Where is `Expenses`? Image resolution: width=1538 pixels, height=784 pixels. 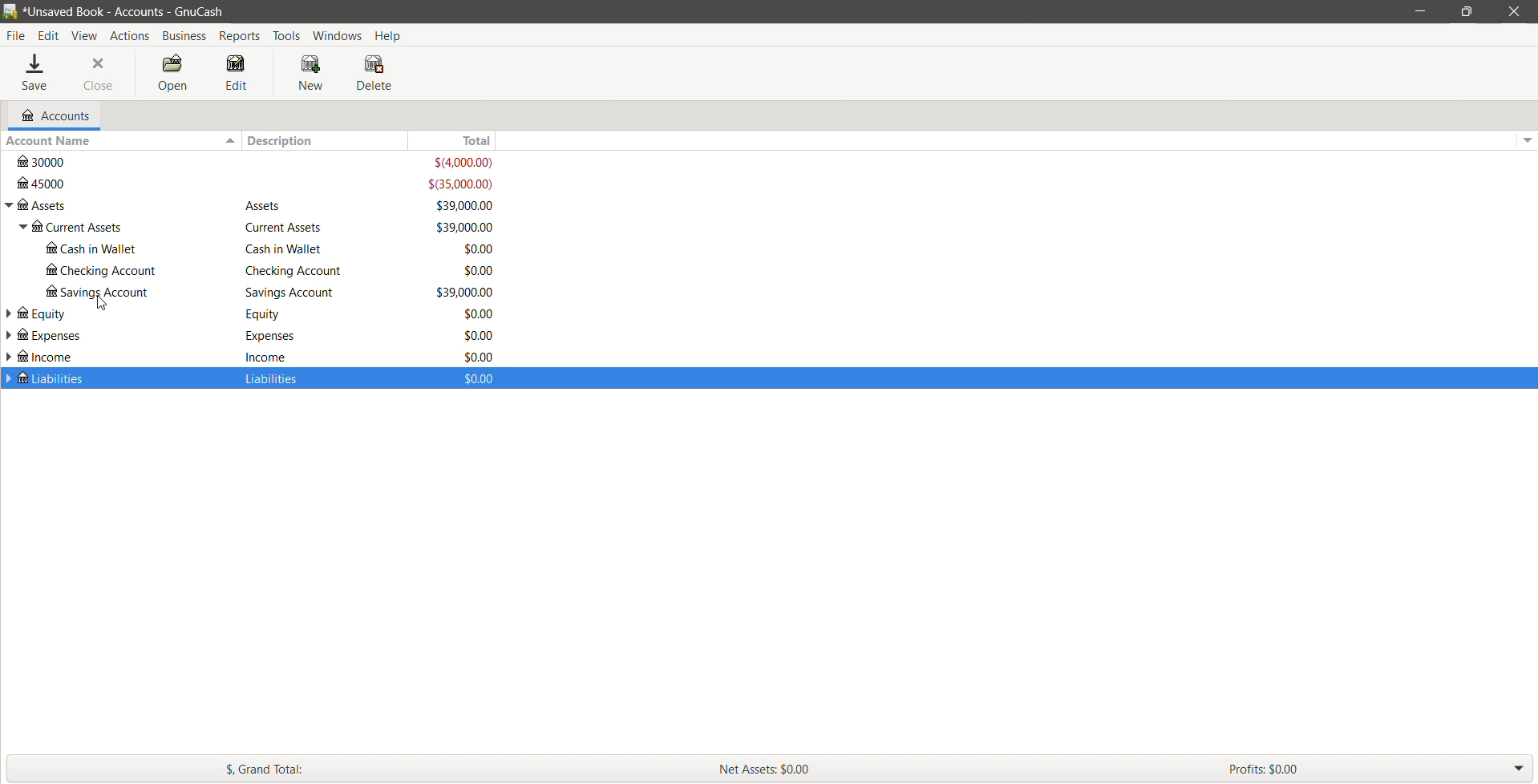 Expenses is located at coordinates (277, 334).